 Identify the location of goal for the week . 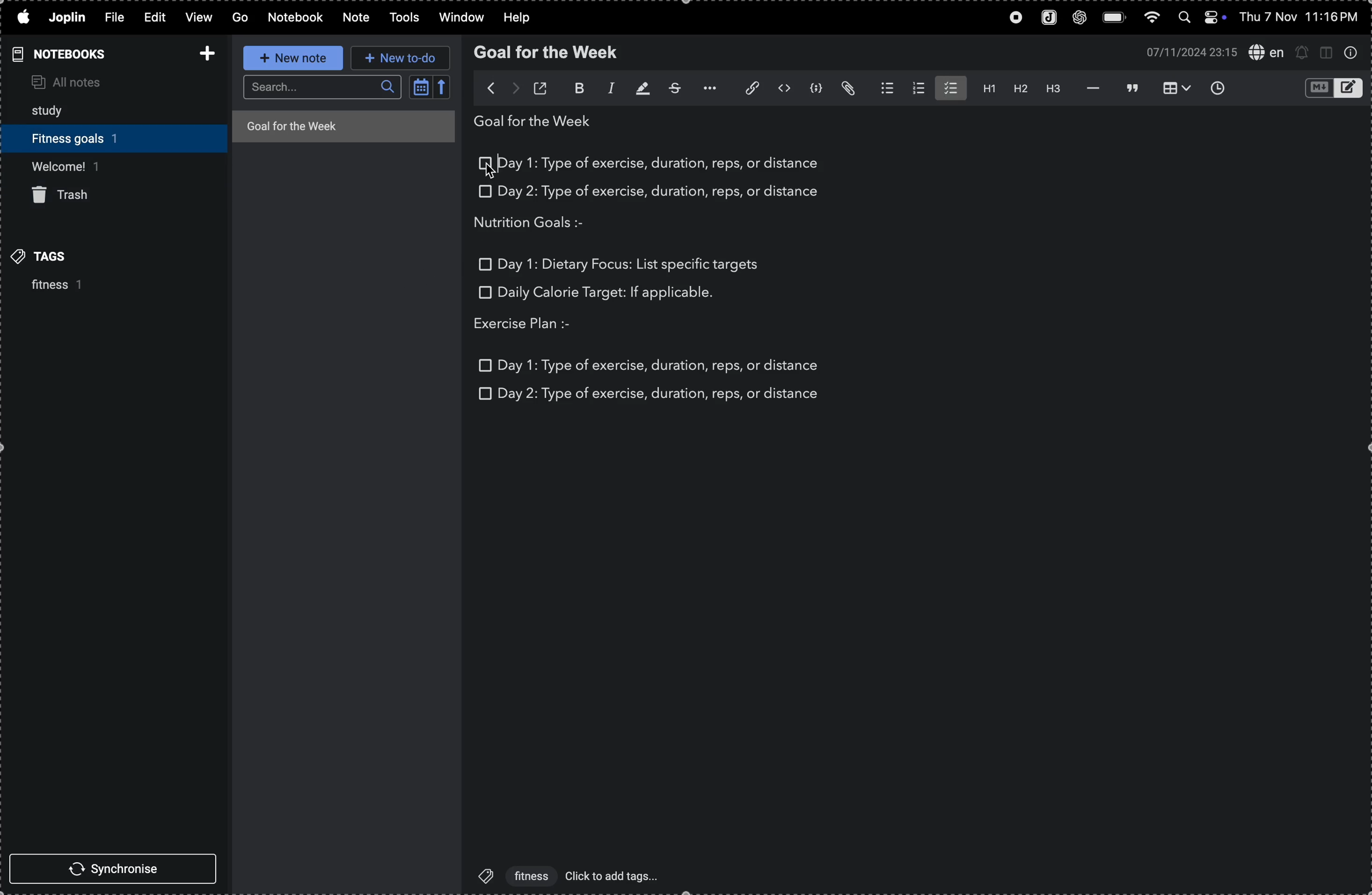
(538, 124).